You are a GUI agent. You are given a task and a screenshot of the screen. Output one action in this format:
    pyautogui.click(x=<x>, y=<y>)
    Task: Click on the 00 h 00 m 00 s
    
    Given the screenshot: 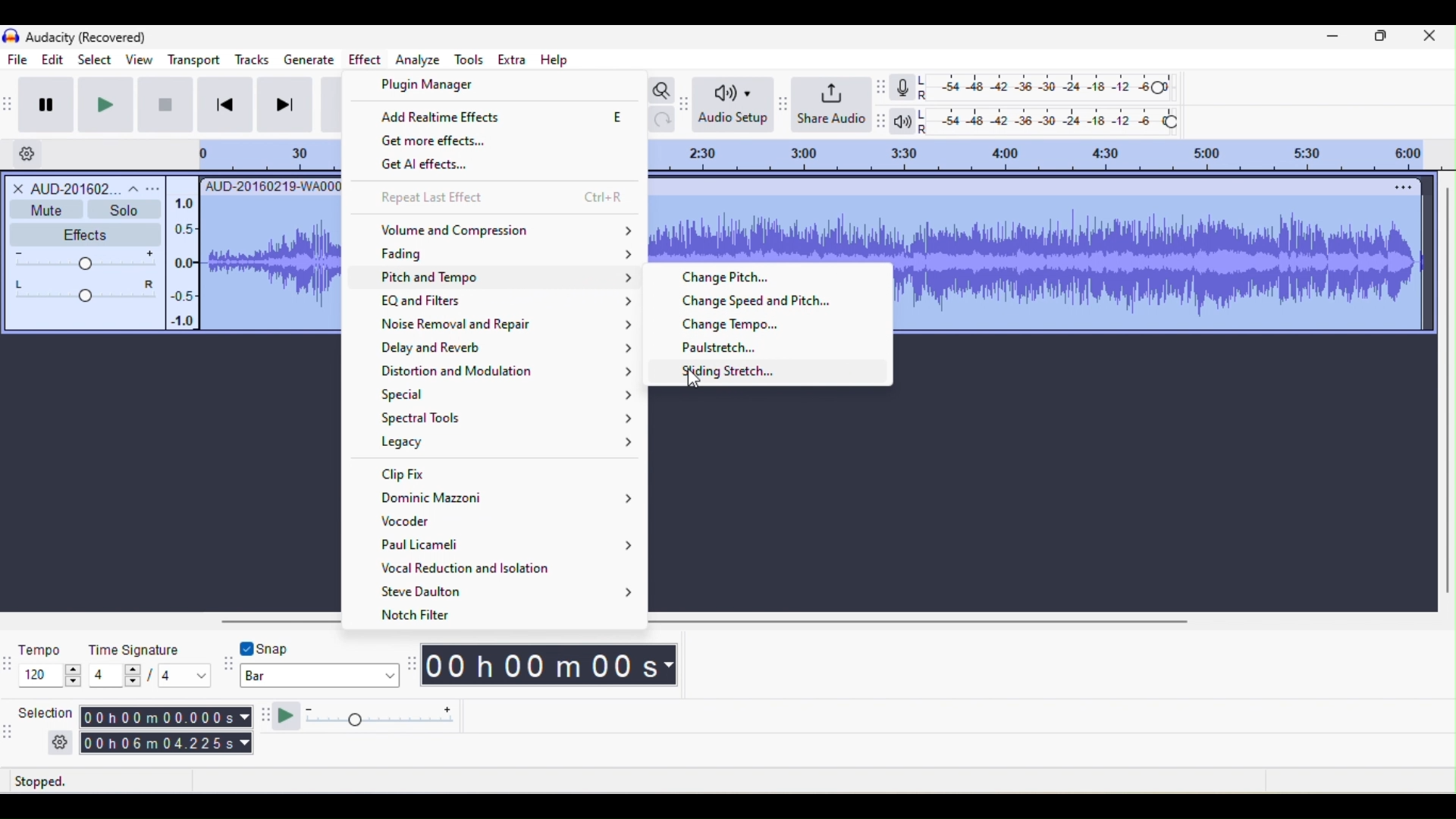 What is the action you would take?
    pyautogui.click(x=551, y=667)
    